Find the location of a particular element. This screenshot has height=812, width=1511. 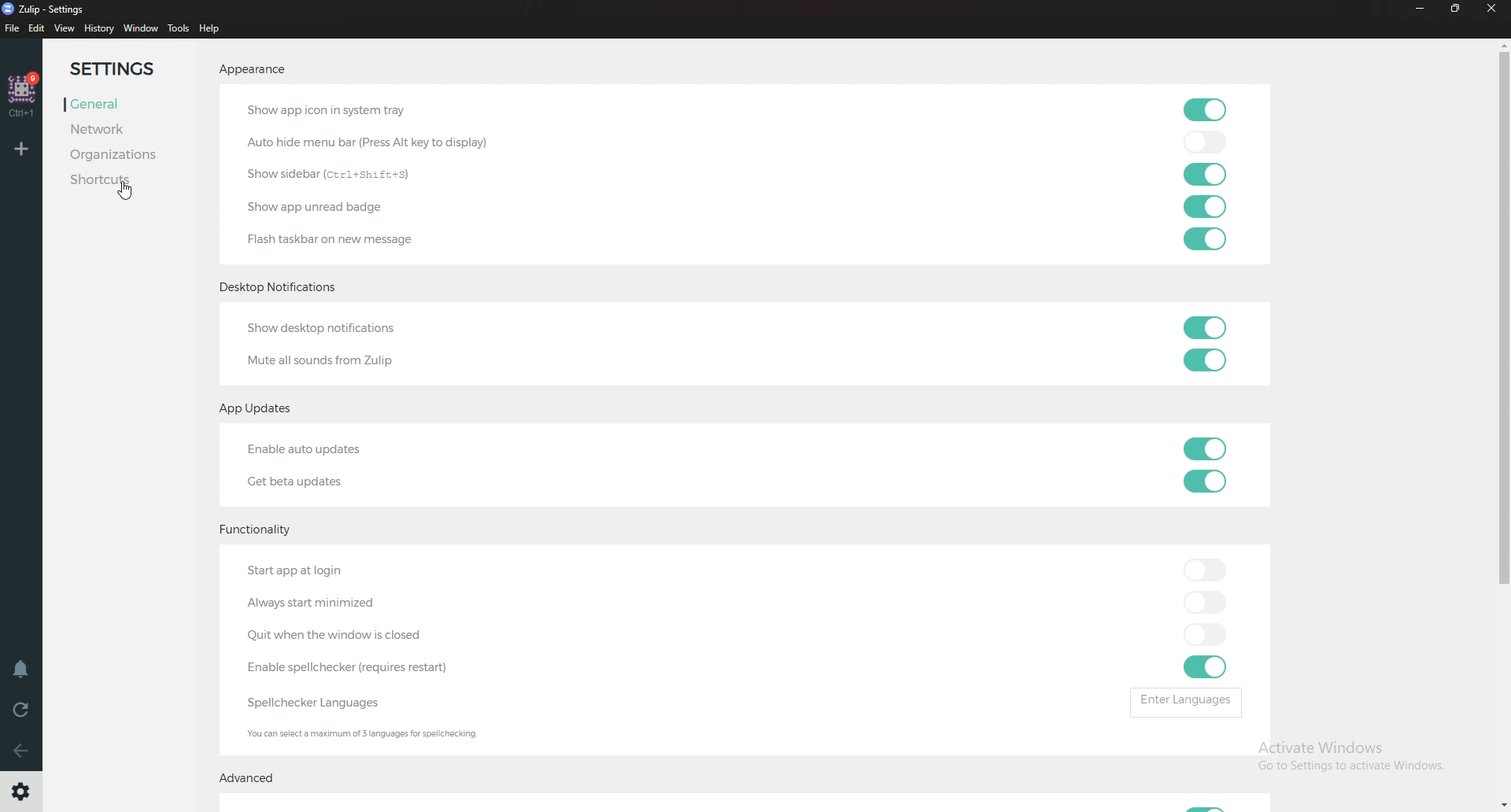

Reload is located at coordinates (17, 711).